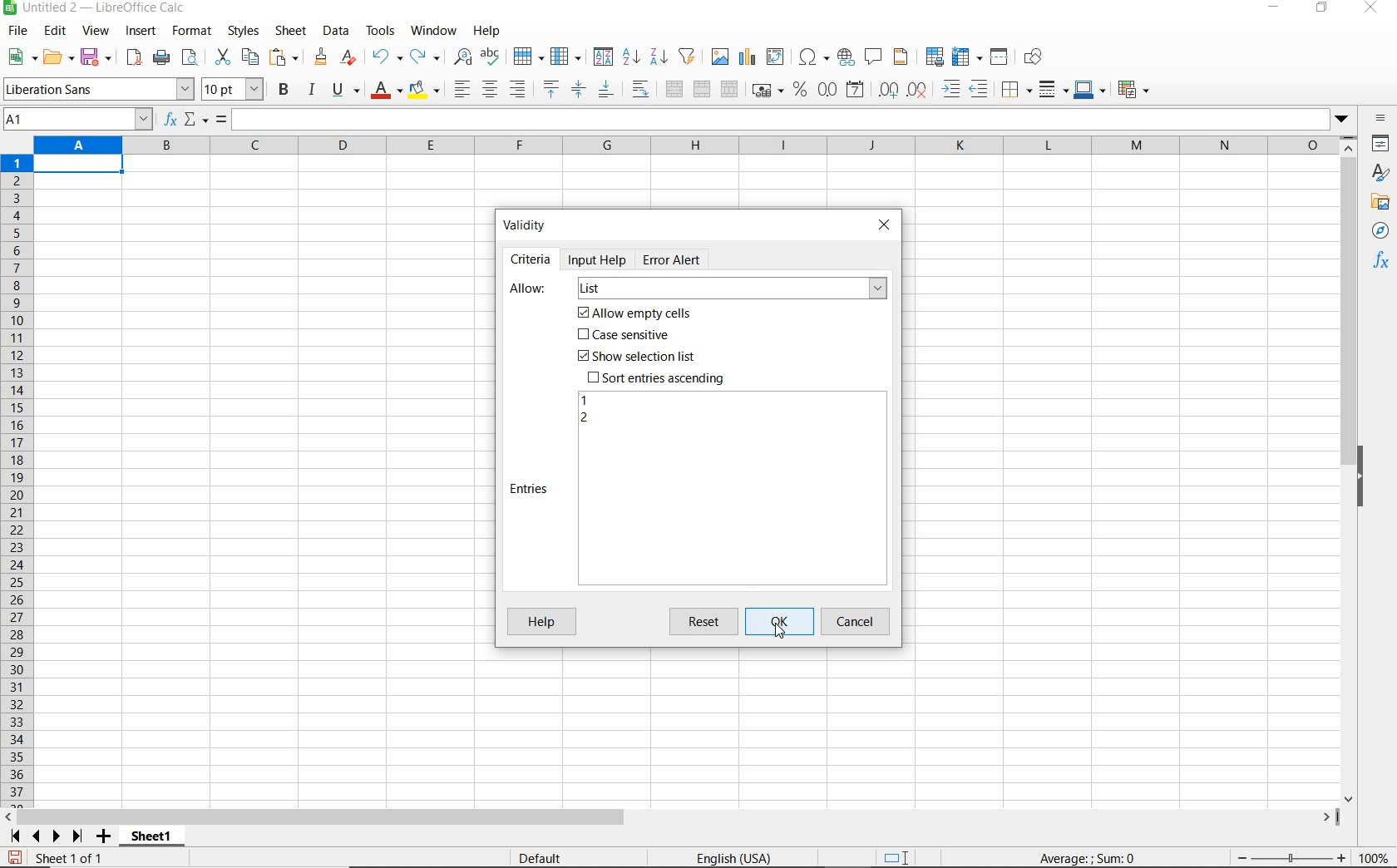 Image resolution: width=1397 pixels, height=868 pixels. Describe the element at coordinates (346, 91) in the screenshot. I see `underline` at that location.